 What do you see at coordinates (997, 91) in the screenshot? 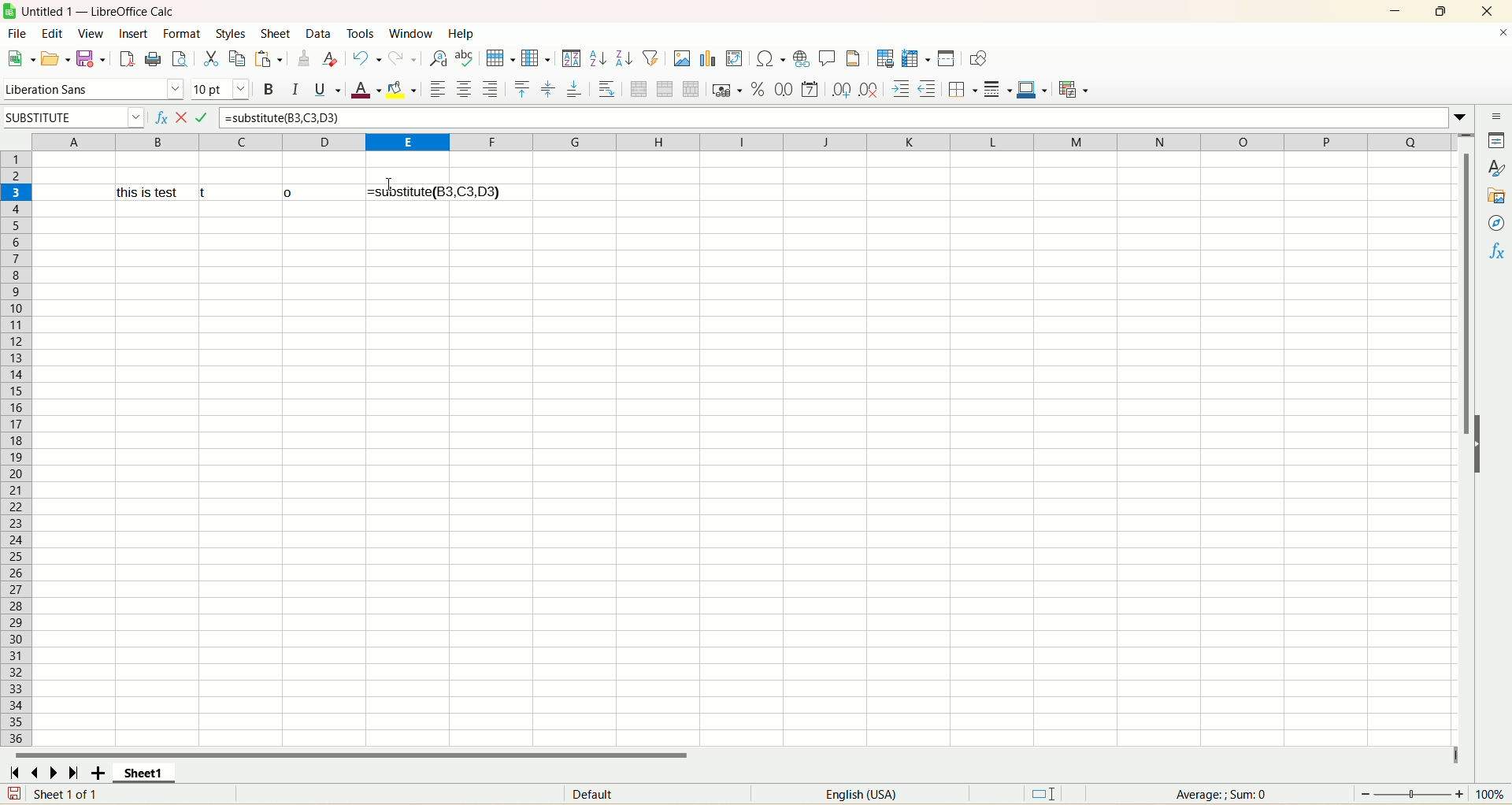
I see `border style` at bounding box center [997, 91].